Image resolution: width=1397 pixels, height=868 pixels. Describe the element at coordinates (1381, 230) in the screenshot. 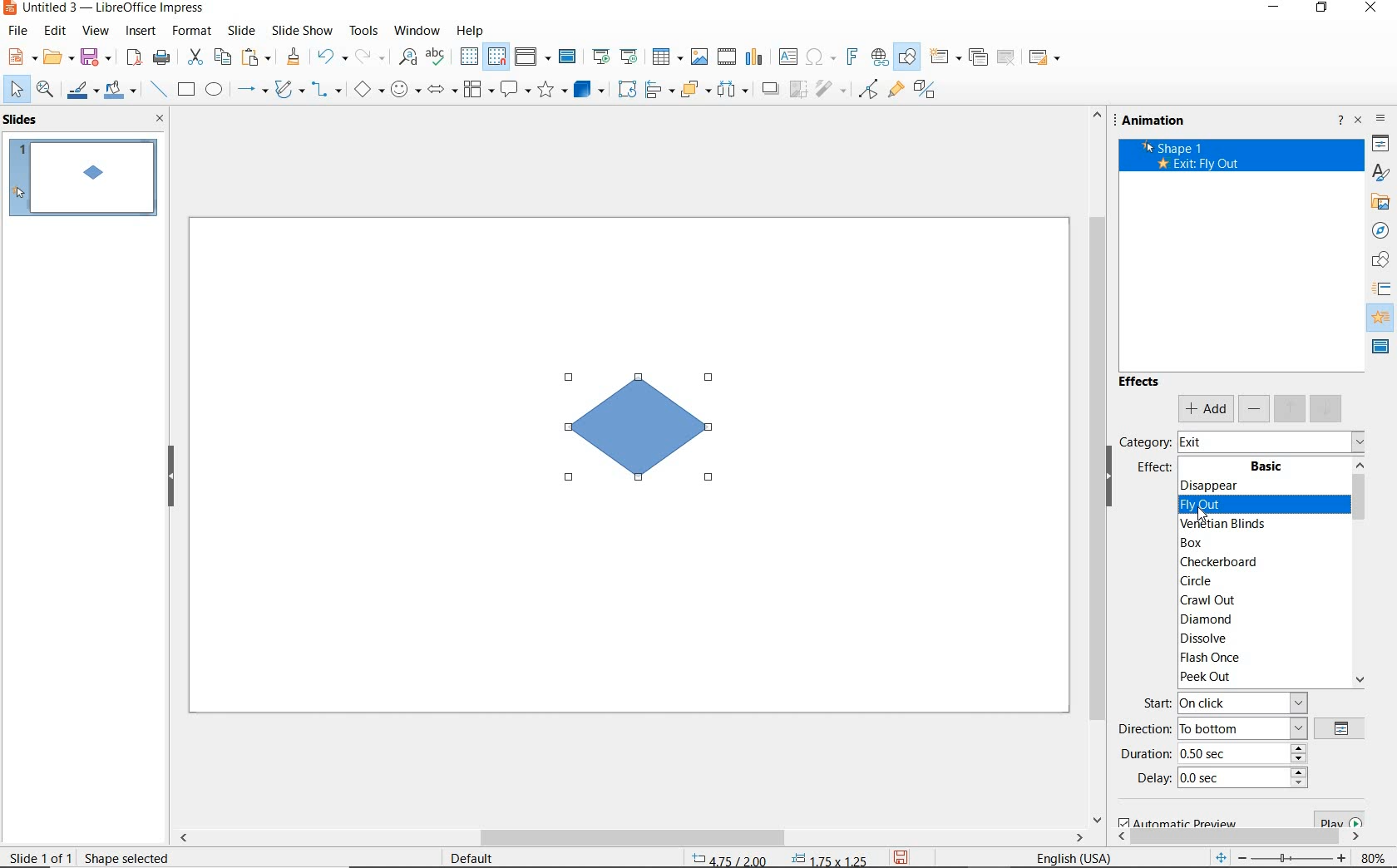

I see `navigator` at that location.